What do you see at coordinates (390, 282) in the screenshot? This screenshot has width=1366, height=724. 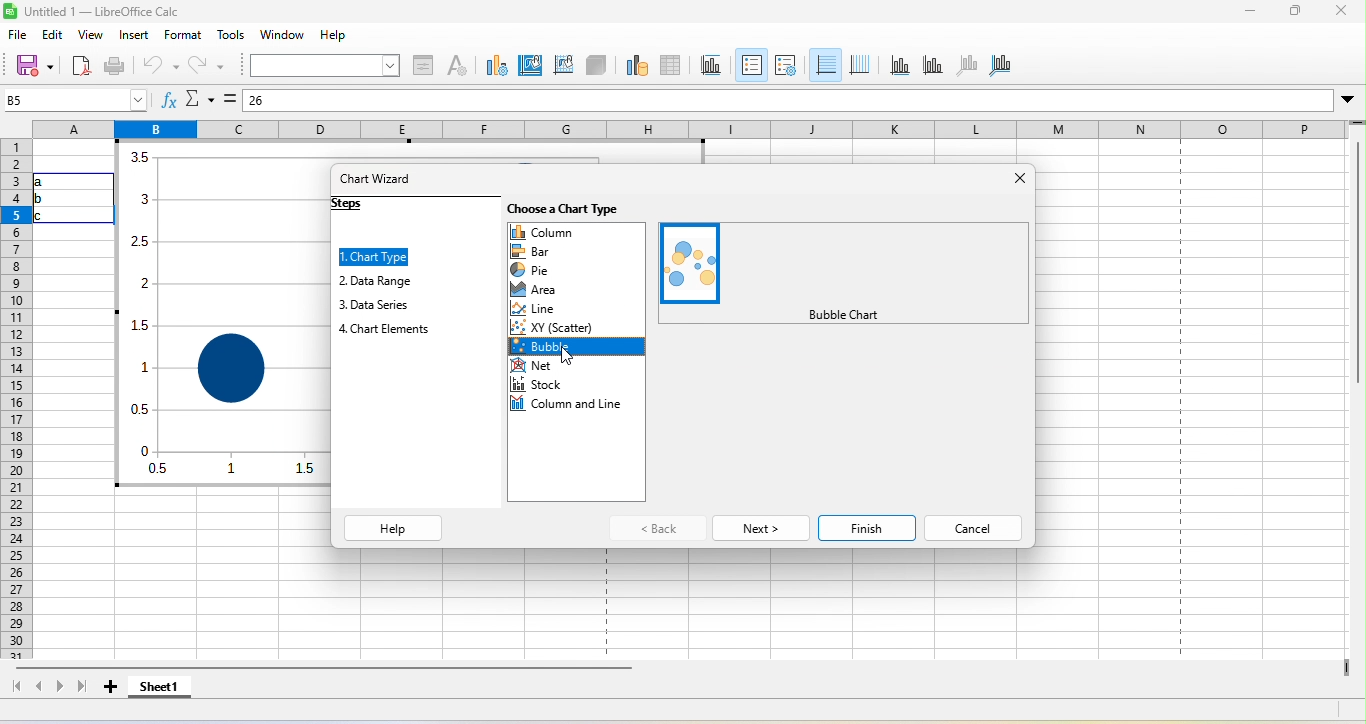 I see `data range` at bounding box center [390, 282].